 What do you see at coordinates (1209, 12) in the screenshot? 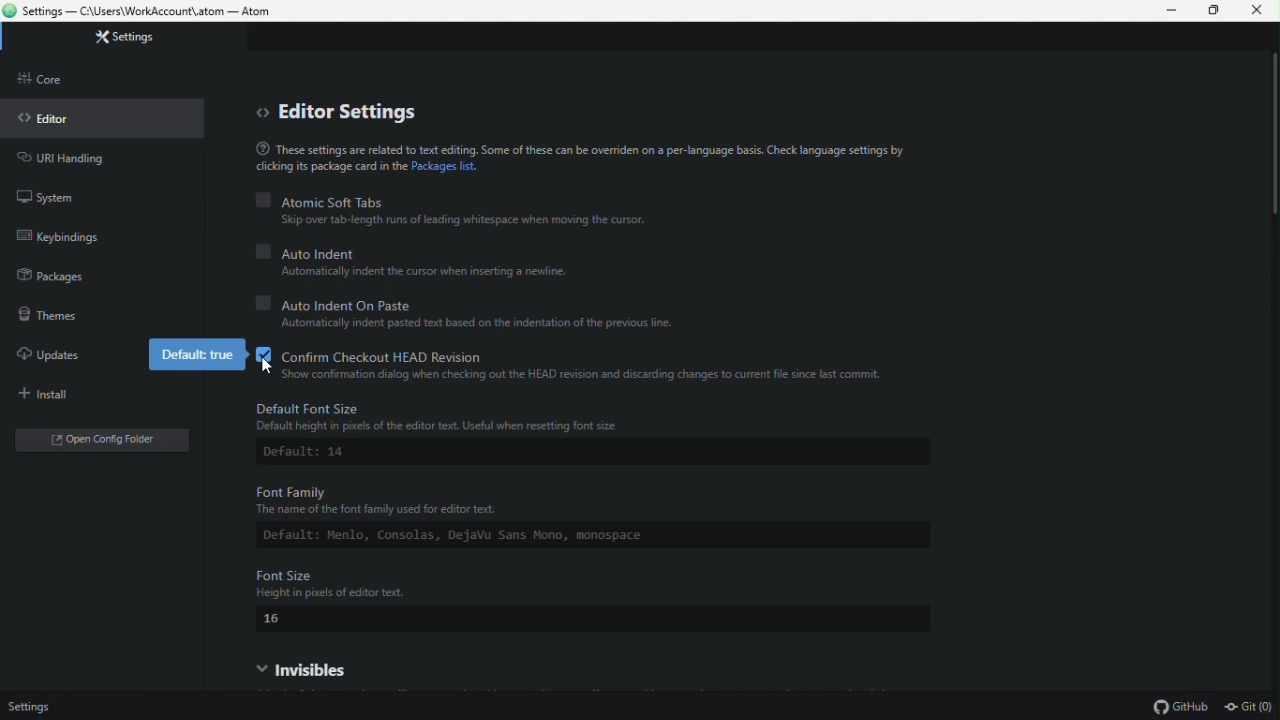
I see `Restore` at bounding box center [1209, 12].